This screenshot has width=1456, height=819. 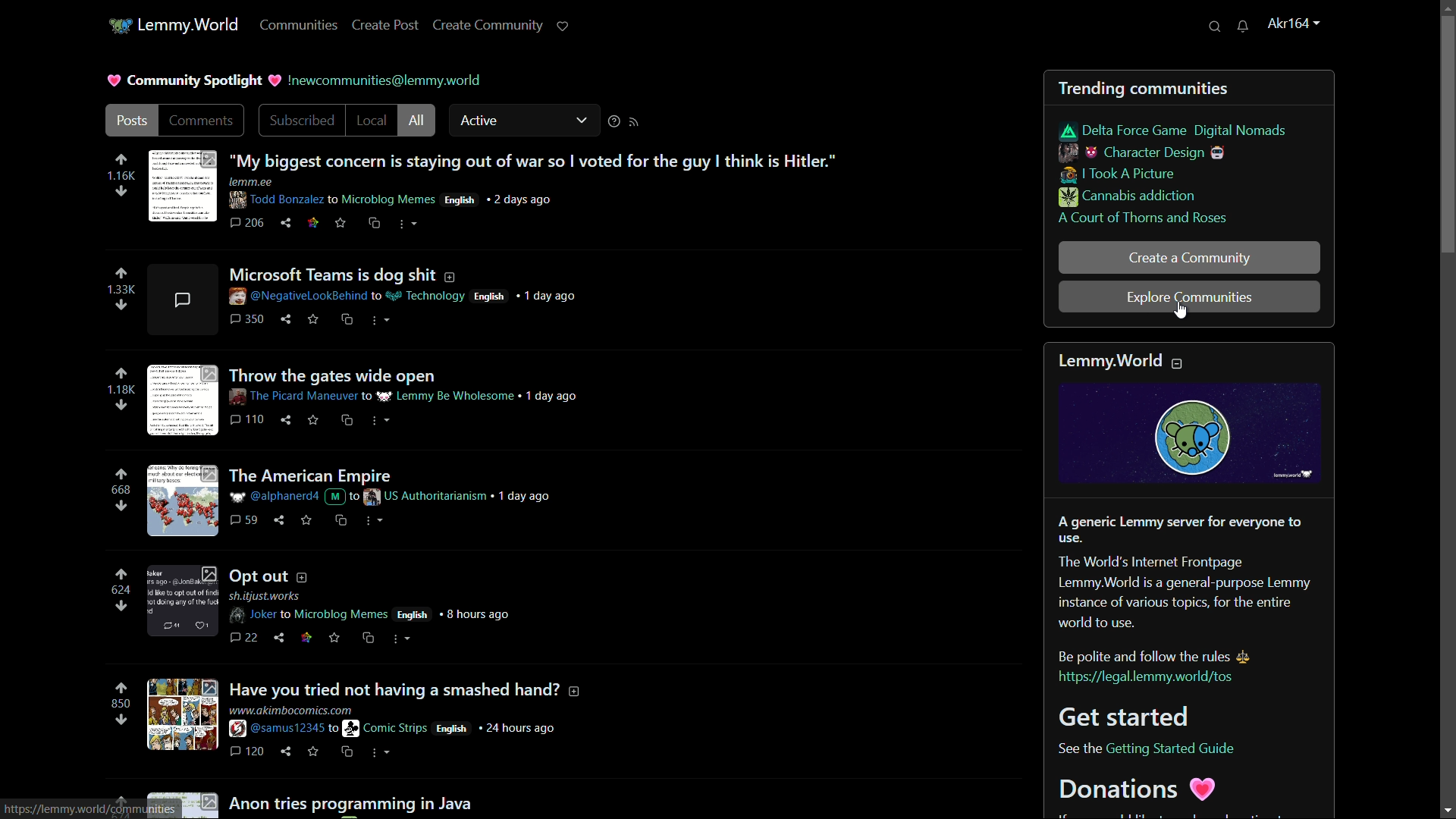 What do you see at coordinates (1188, 588) in the screenshot?
I see `about lemmy world` at bounding box center [1188, 588].